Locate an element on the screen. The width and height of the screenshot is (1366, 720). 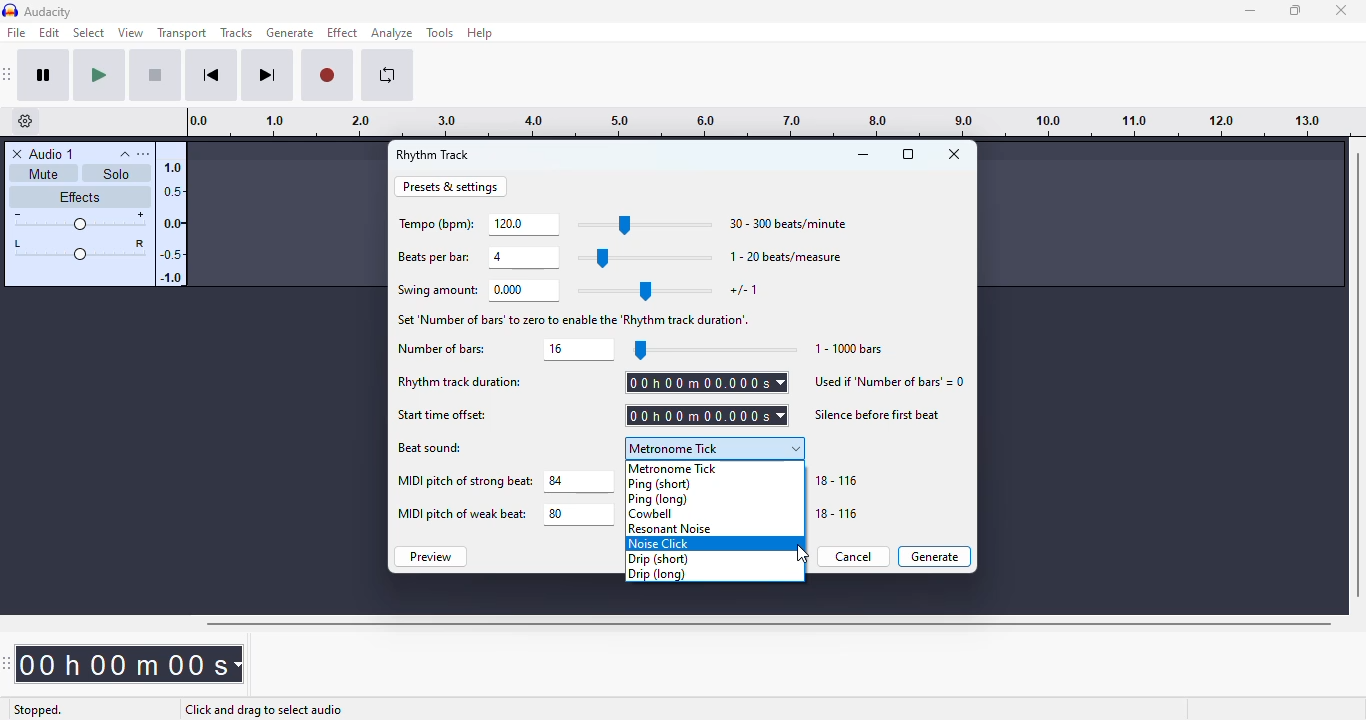
swing amount is located at coordinates (437, 291).